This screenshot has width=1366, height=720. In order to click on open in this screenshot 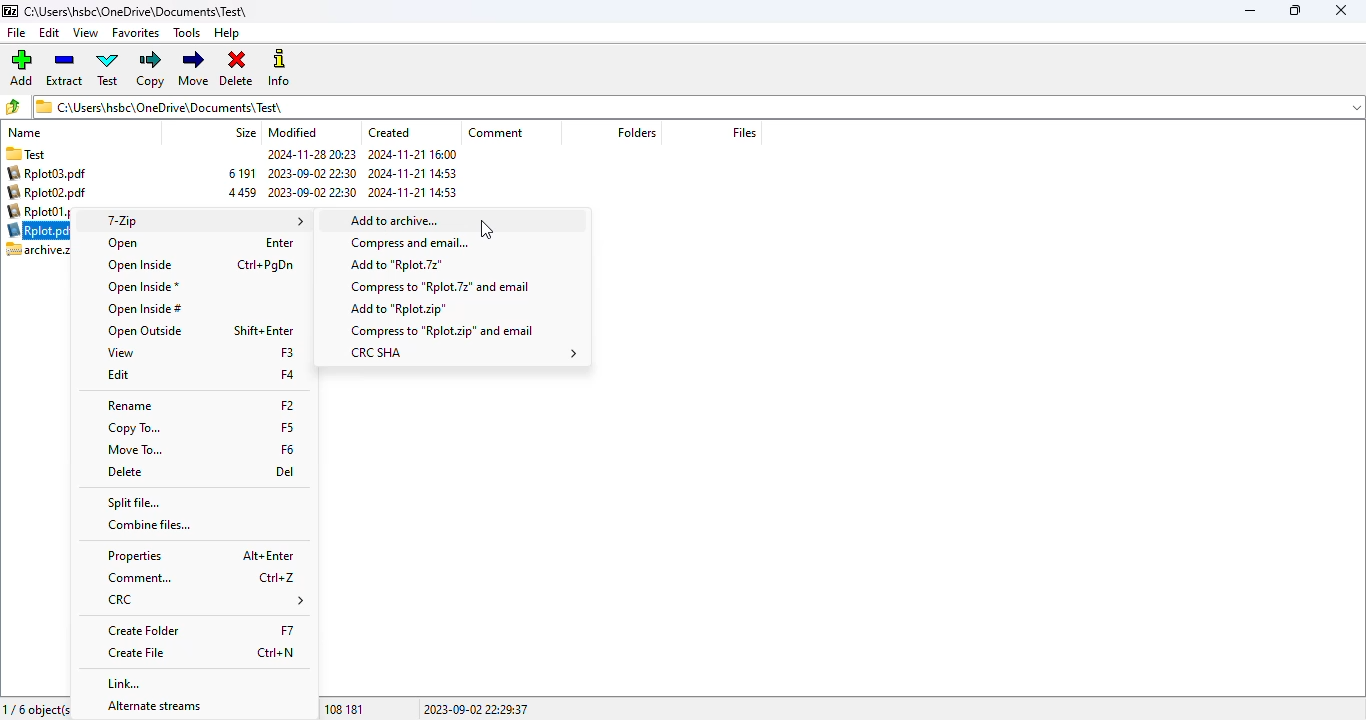, I will do `click(123, 243)`.